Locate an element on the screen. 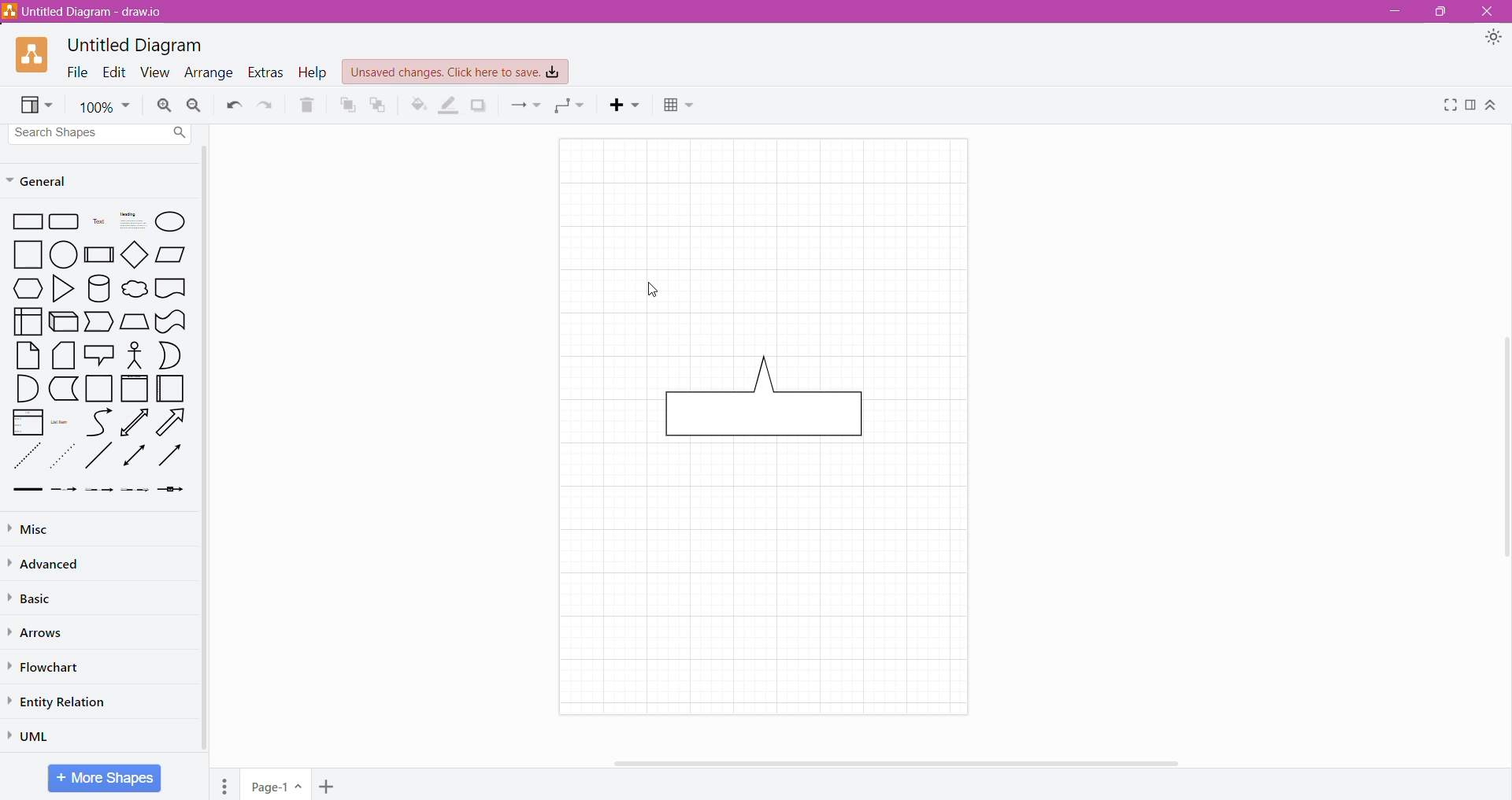 This screenshot has width=1512, height=800. diagonal line is located at coordinates (100, 457).